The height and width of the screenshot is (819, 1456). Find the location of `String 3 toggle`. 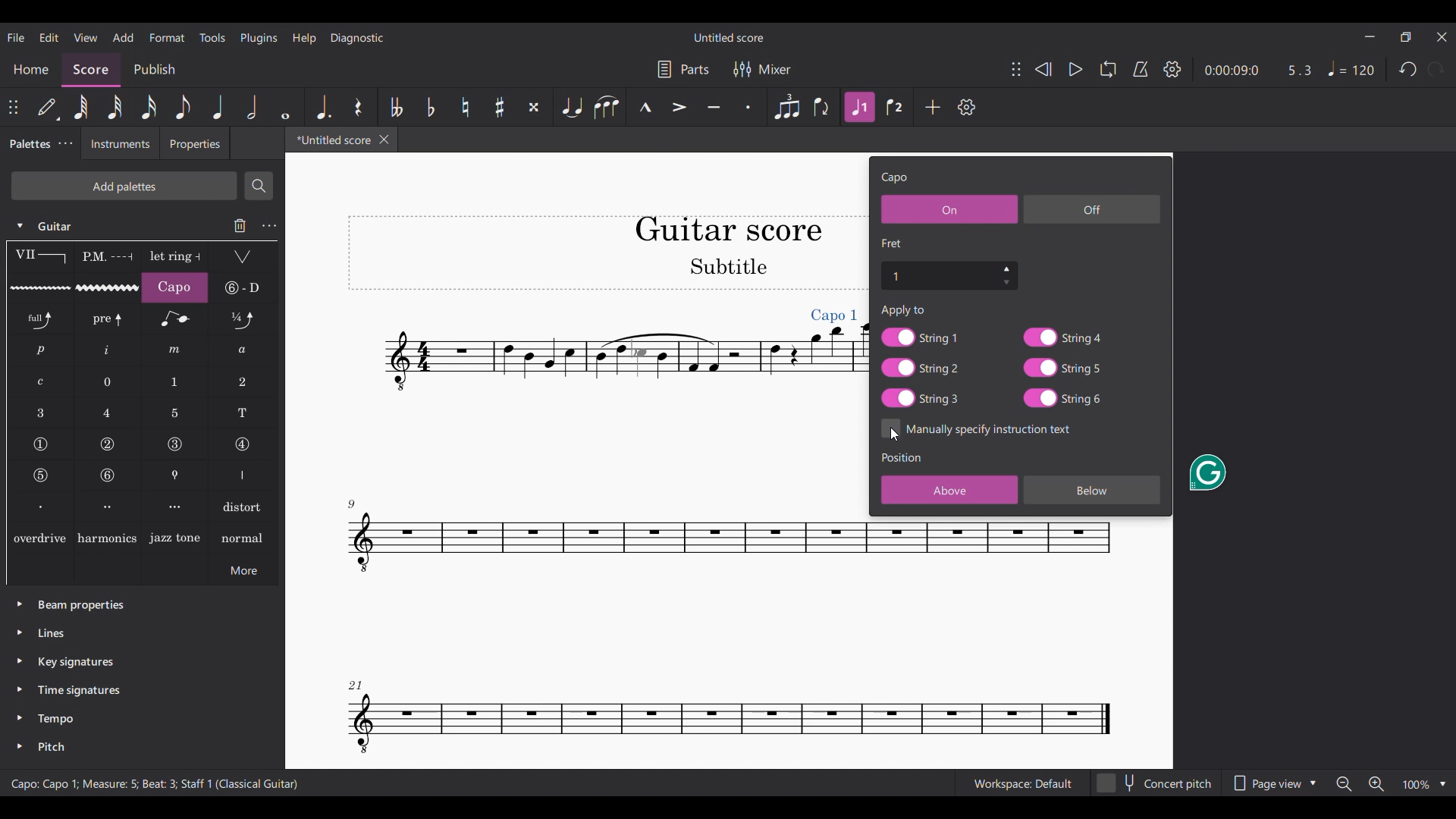

String 3 toggle is located at coordinates (920, 398).